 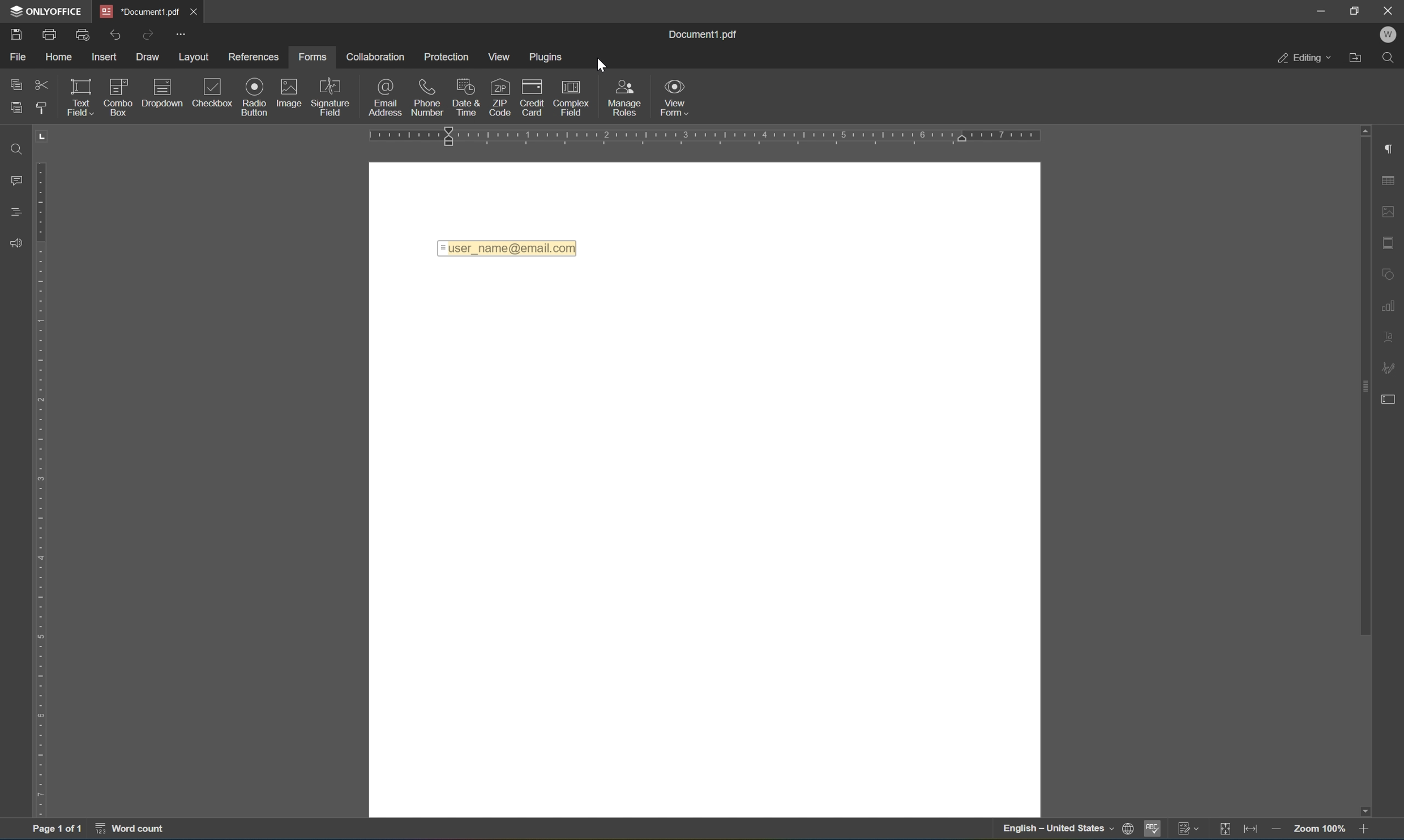 I want to click on image, so click(x=287, y=93).